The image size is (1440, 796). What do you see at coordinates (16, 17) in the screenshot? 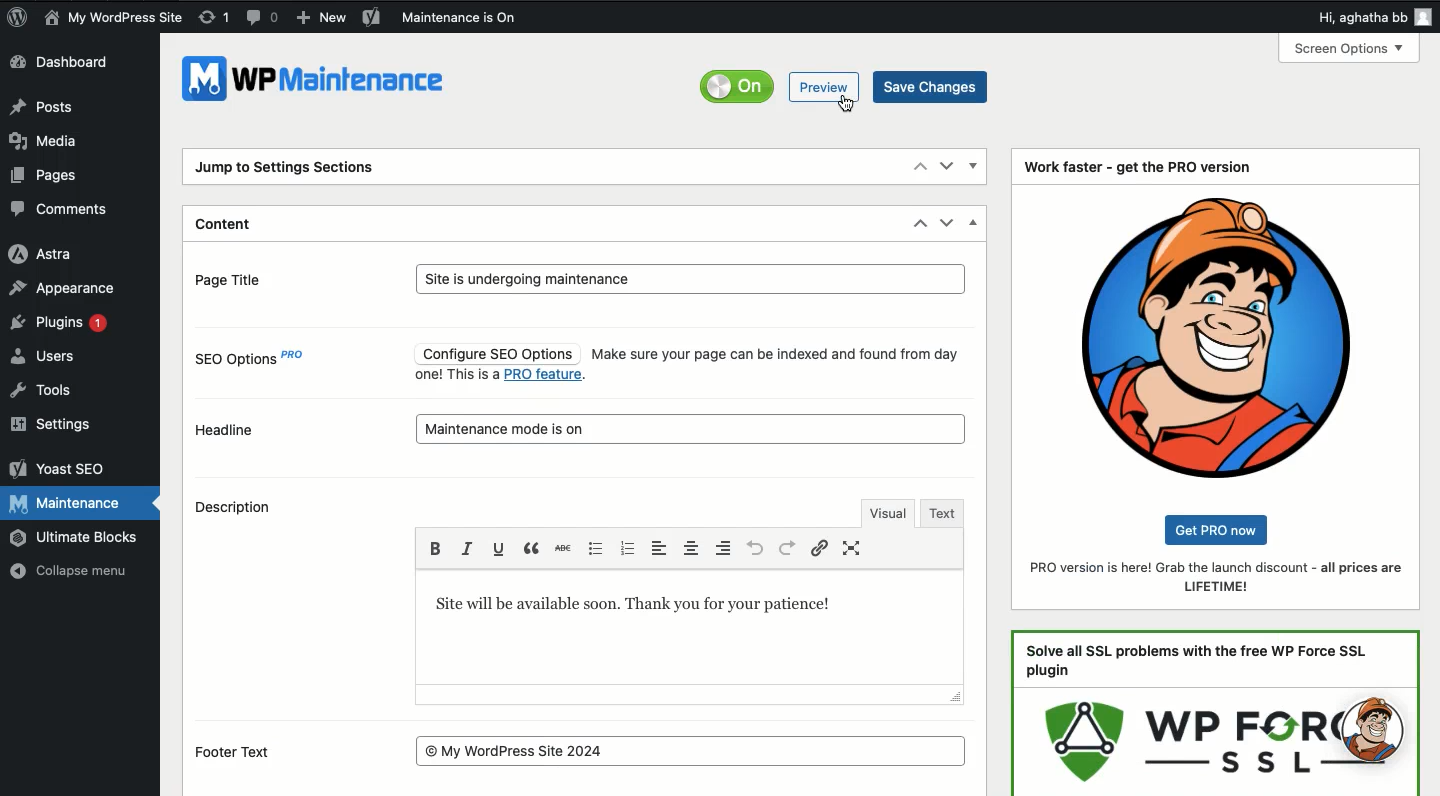
I see `Logo` at bounding box center [16, 17].